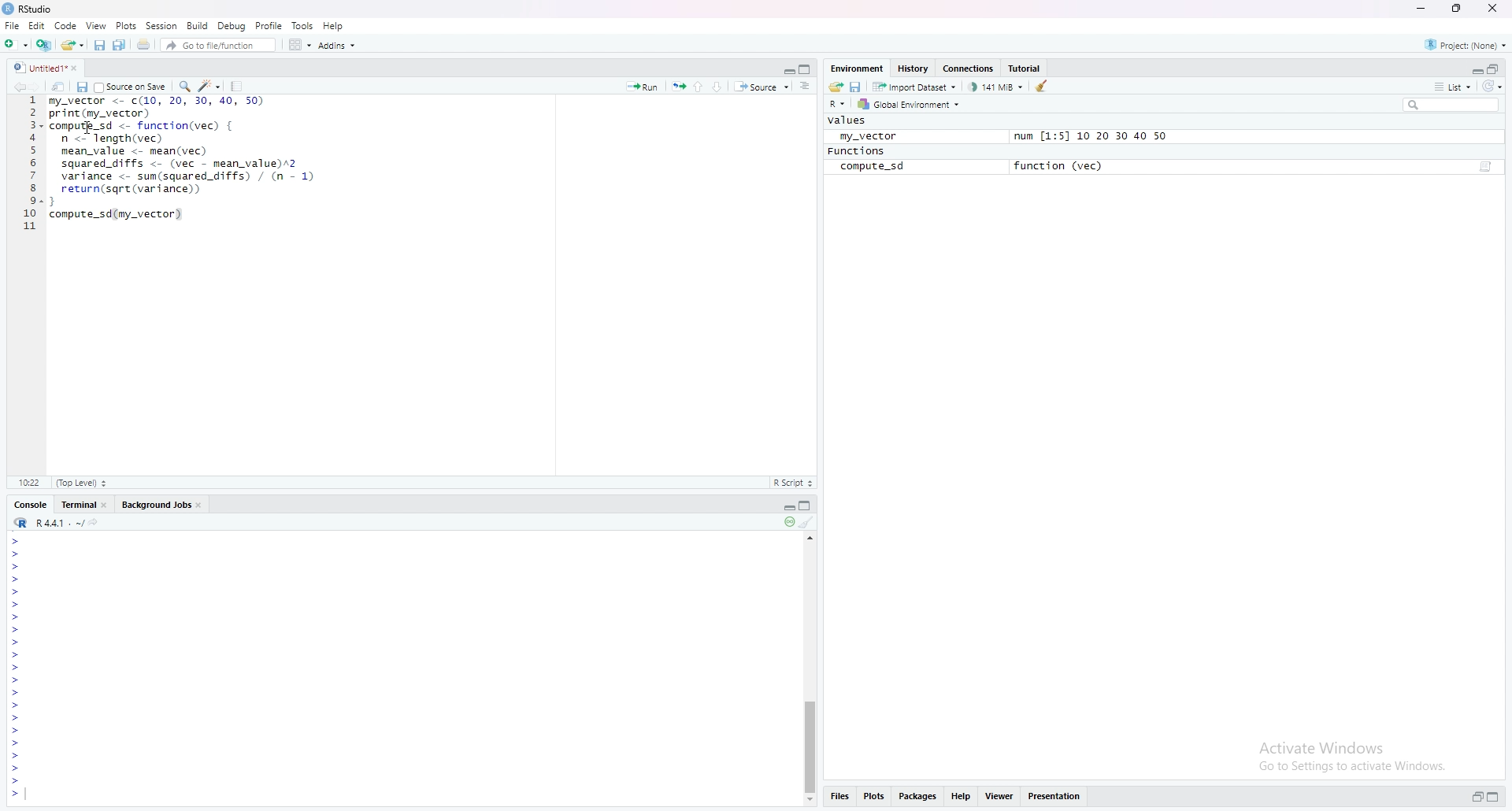  What do you see at coordinates (130, 86) in the screenshot?
I see `Source on Save` at bounding box center [130, 86].